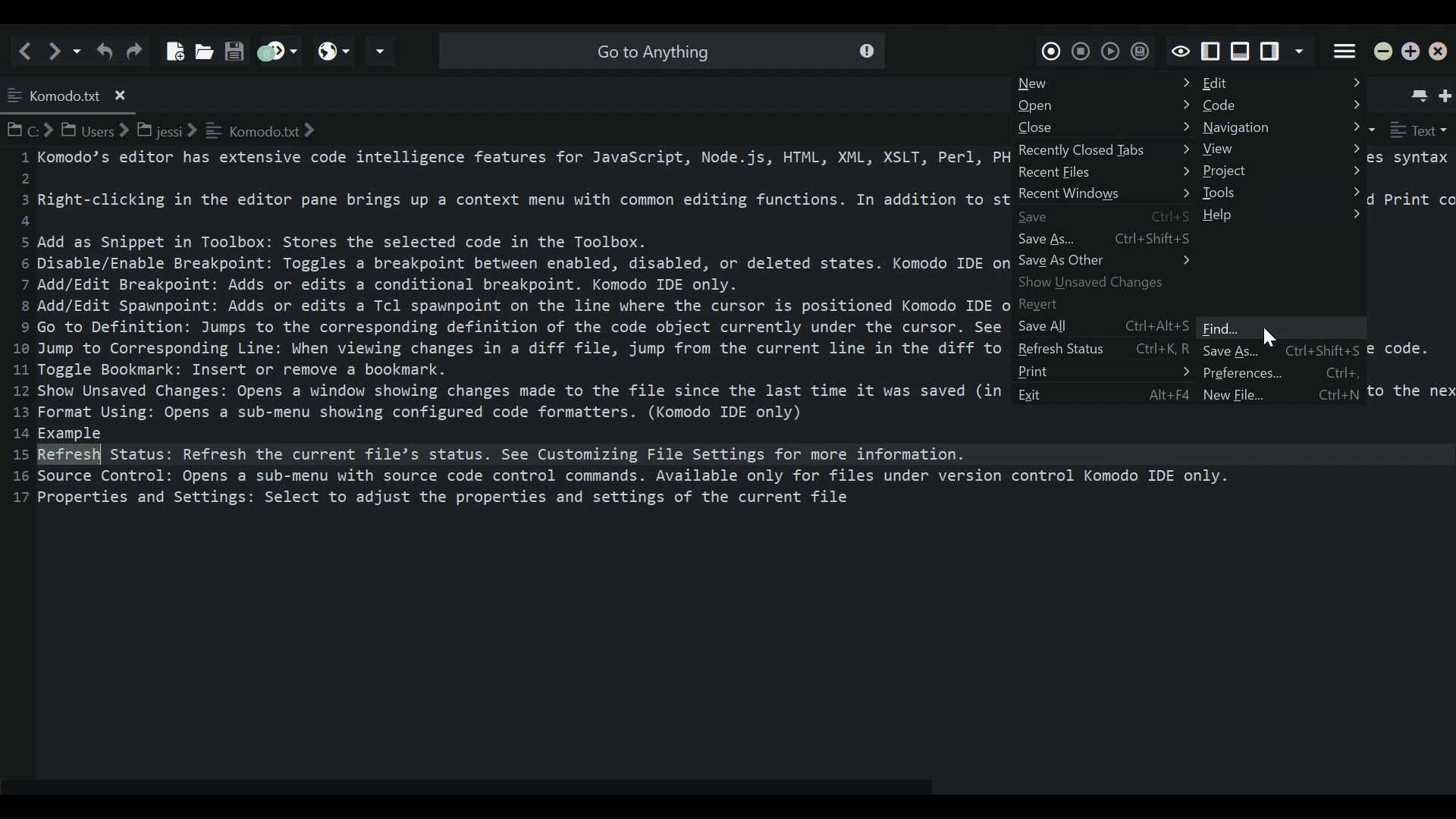 The height and width of the screenshot is (819, 1456). What do you see at coordinates (1302, 52) in the screenshot?
I see `Show specific Sidebar ` at bounding box center [1302, 52].